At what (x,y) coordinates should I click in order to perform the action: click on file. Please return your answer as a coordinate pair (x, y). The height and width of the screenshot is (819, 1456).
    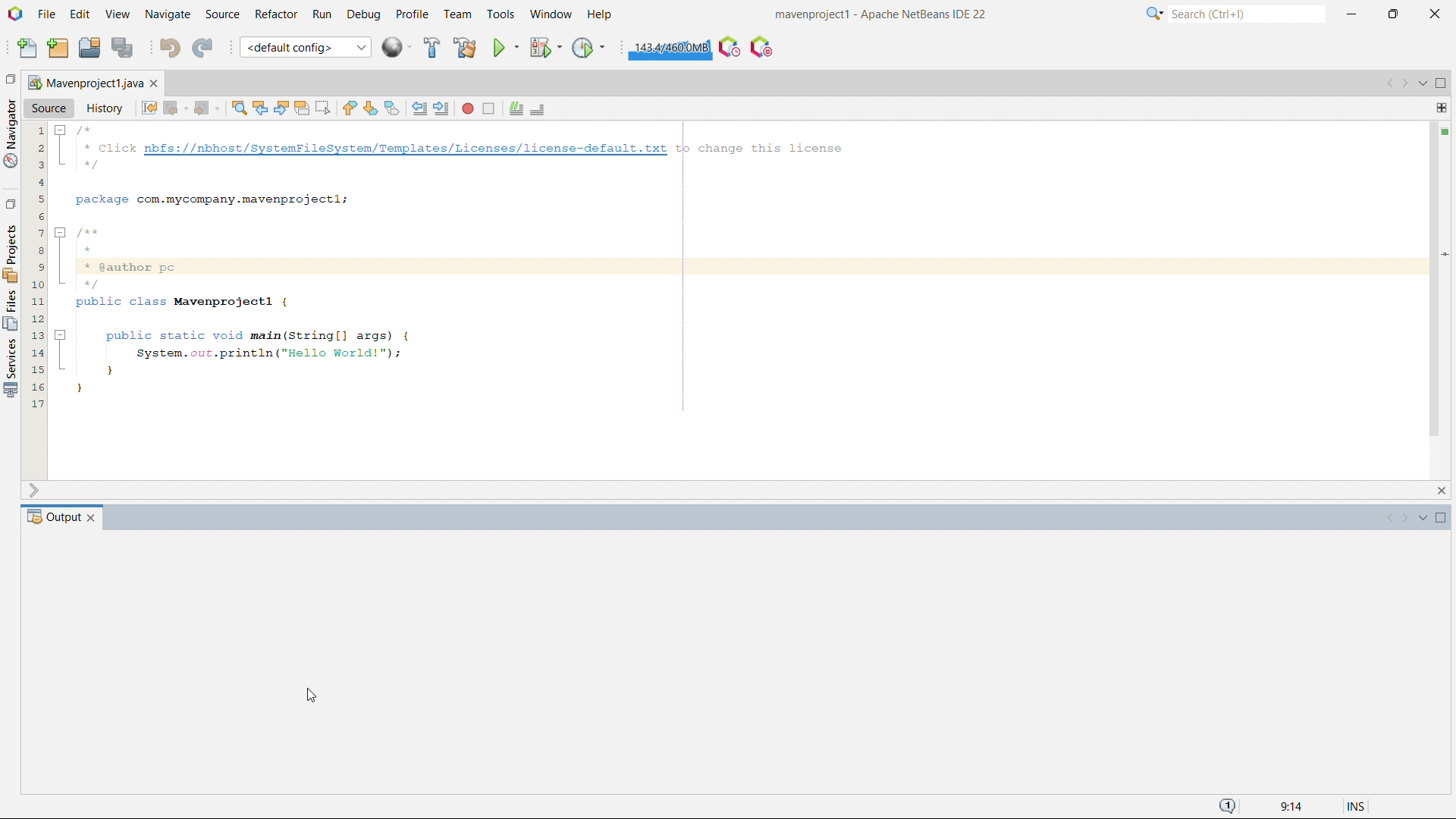
    Looking at the image, I should click on (46, 14).